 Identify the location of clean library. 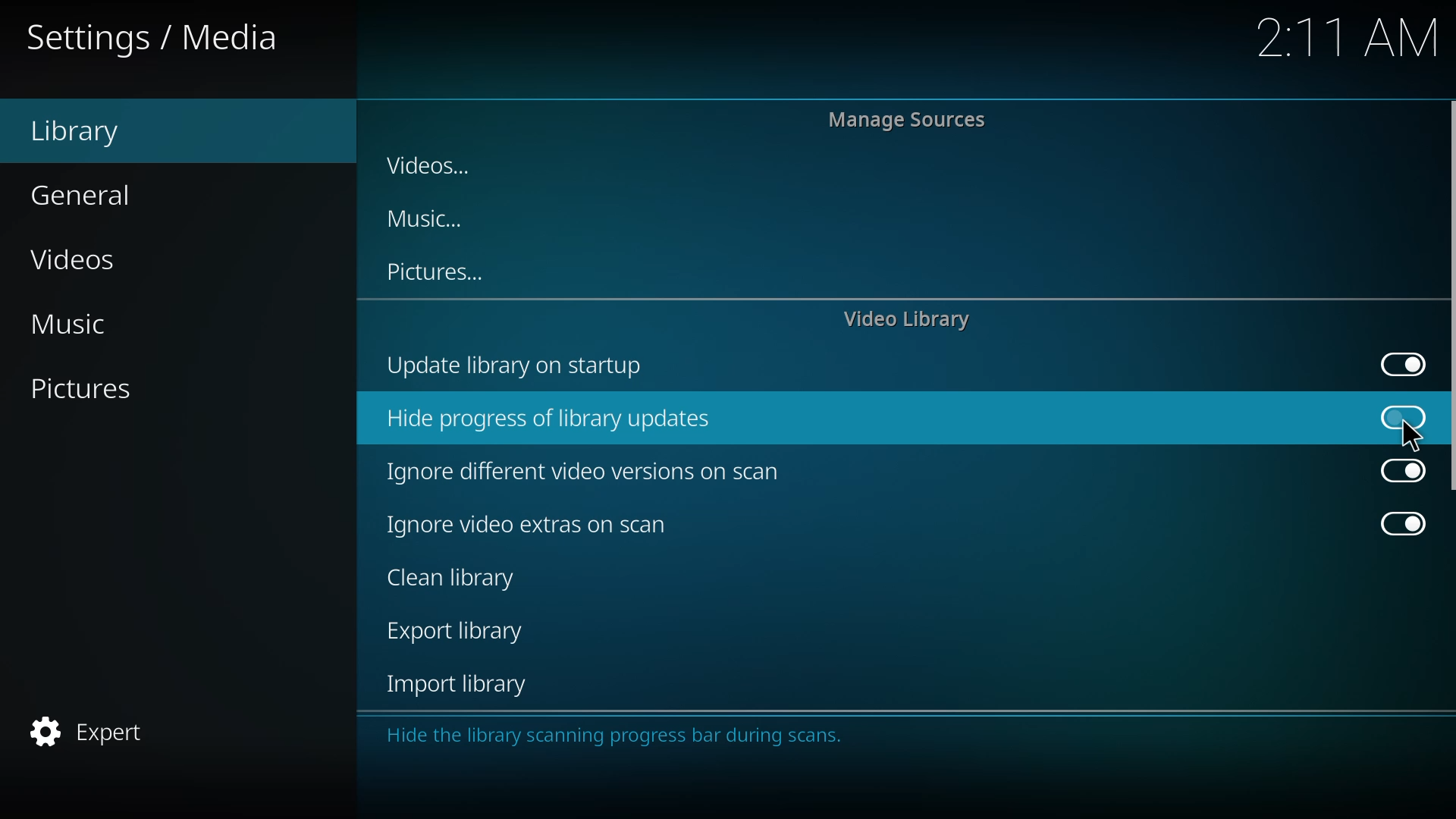
(449, 579).